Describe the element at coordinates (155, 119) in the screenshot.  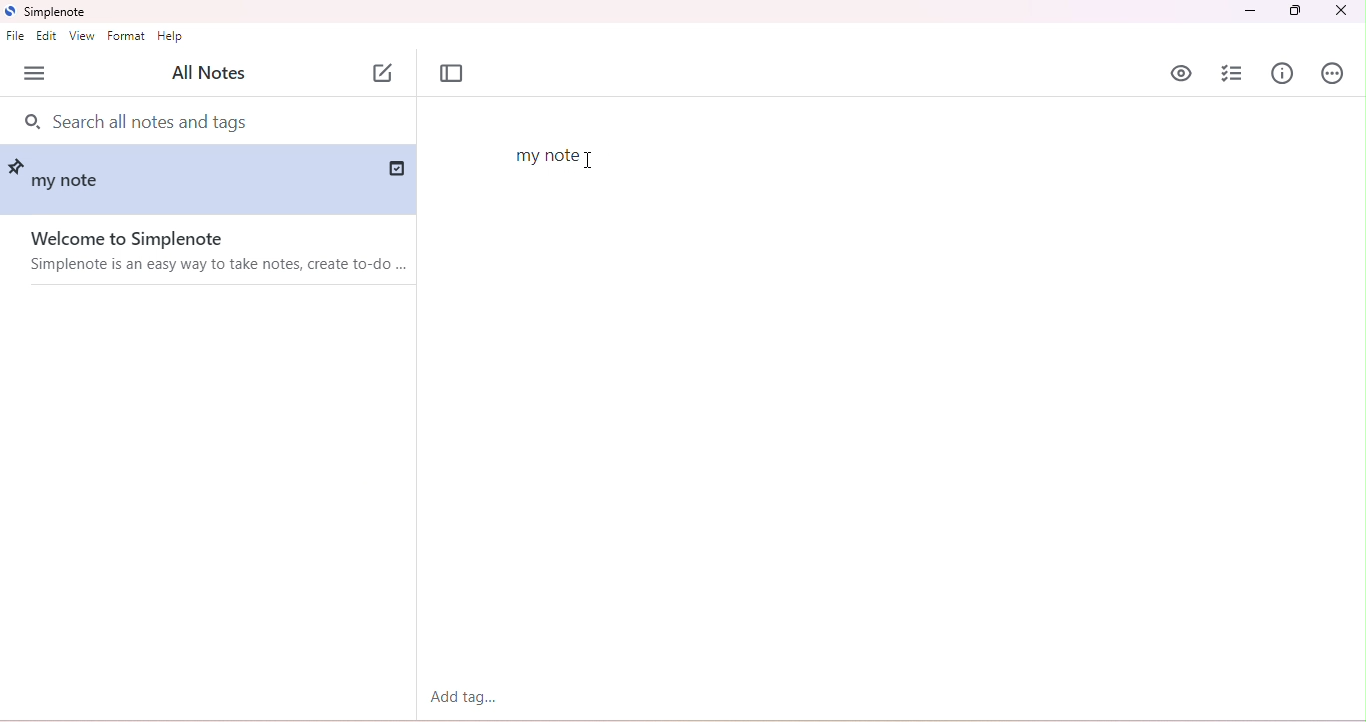
I see `Search all notes and tags` at that location.